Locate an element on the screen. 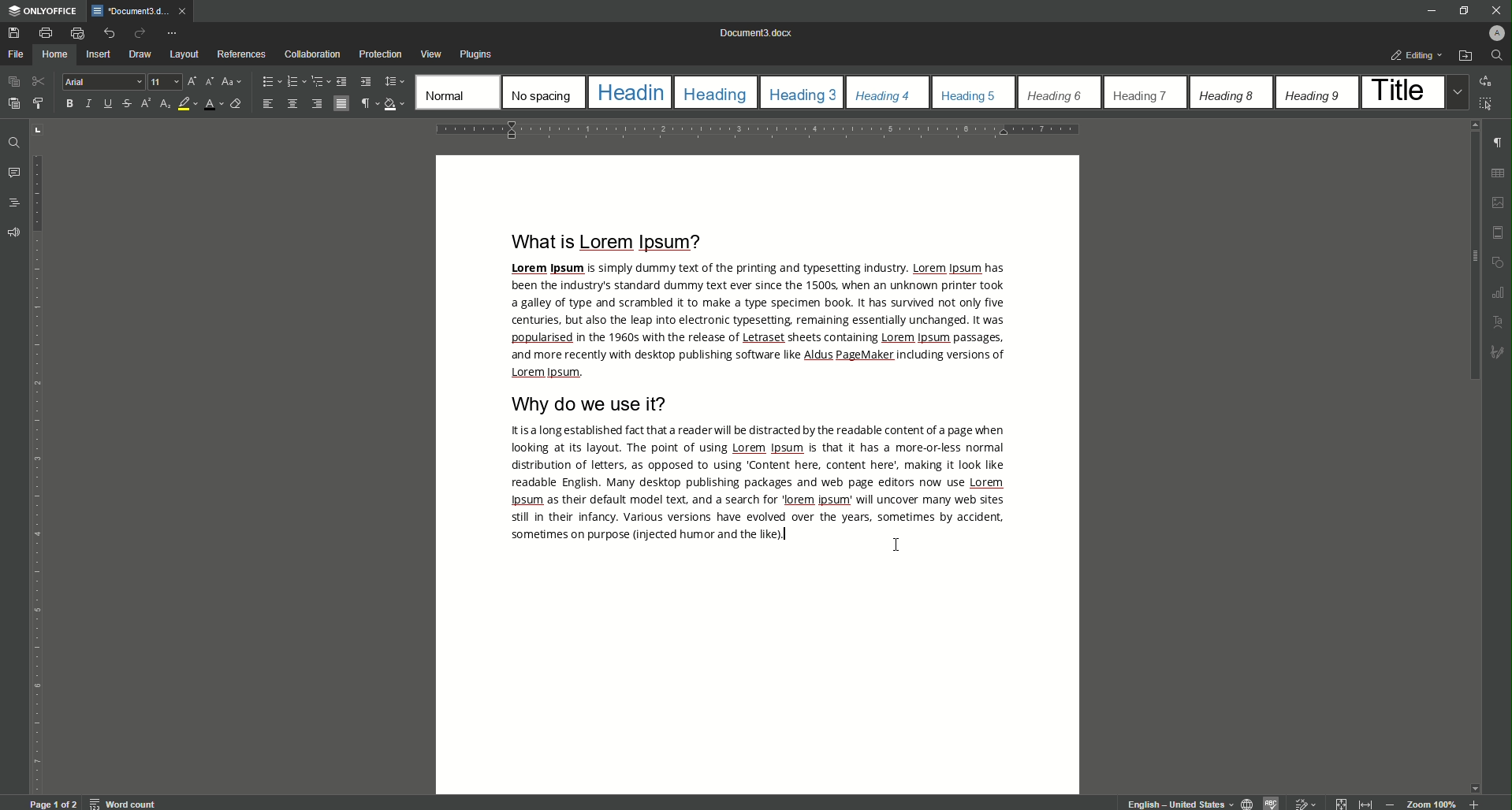 Image resolution: width=1512 pixels, height=810 pixels. Headings is located at coordinates (17, 202).